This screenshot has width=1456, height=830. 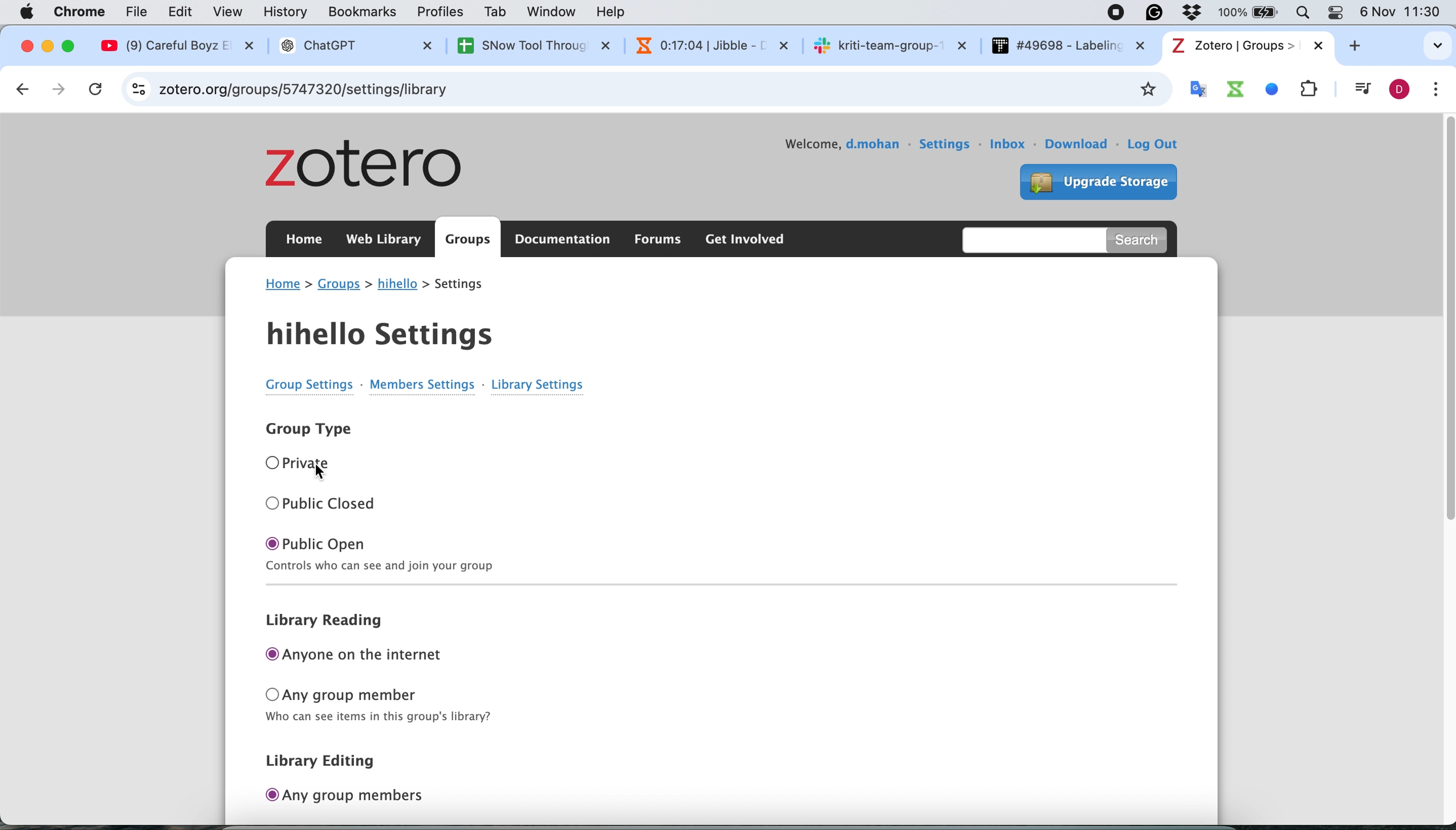 I want to click on upgrade storage, so click(x=1092, y=180).